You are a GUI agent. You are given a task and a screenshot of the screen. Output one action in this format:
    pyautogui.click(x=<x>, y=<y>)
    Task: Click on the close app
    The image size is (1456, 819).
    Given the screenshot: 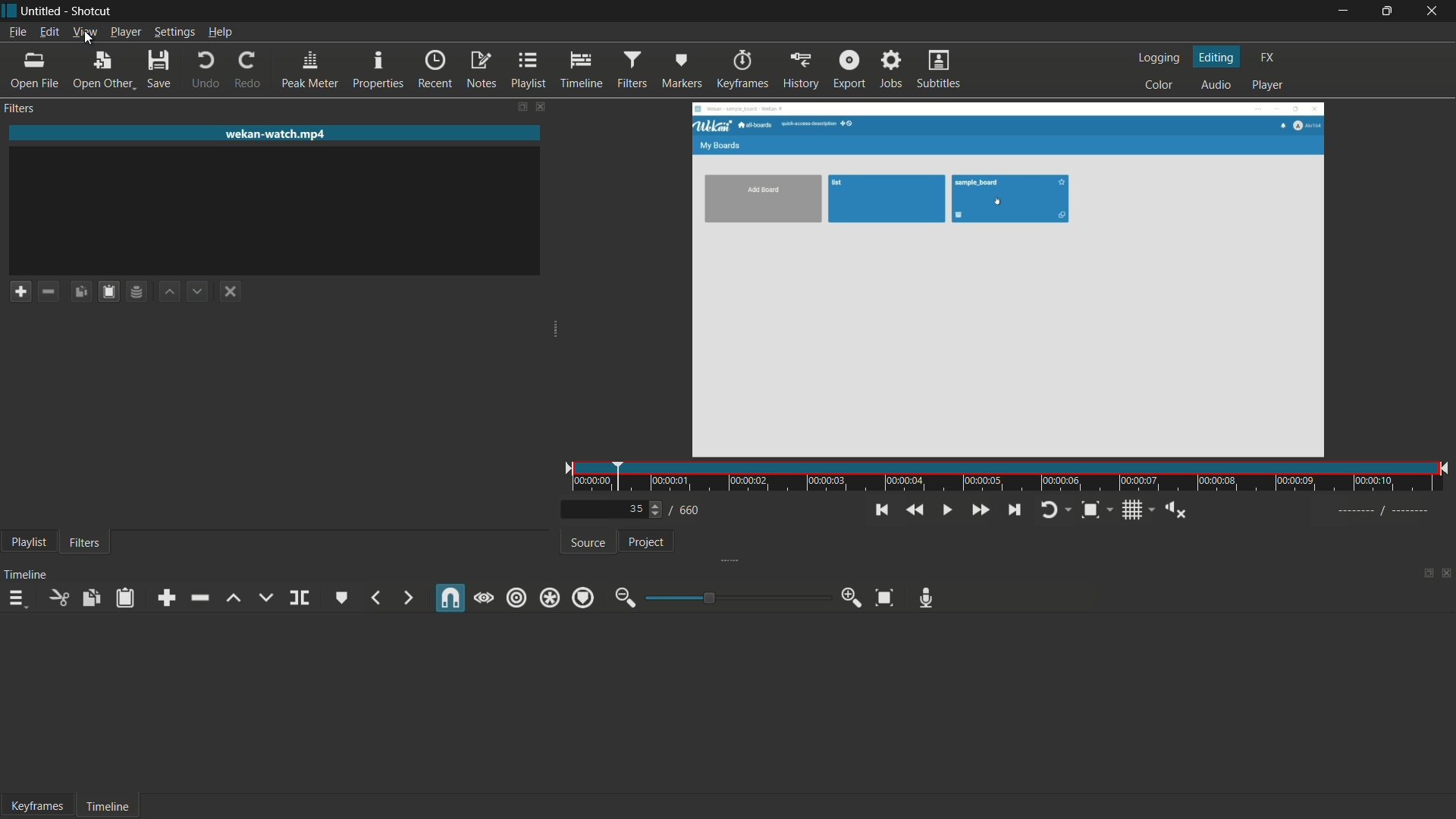 What is the action you would take?
    pyautogui.click(x=1435, y=11)
    